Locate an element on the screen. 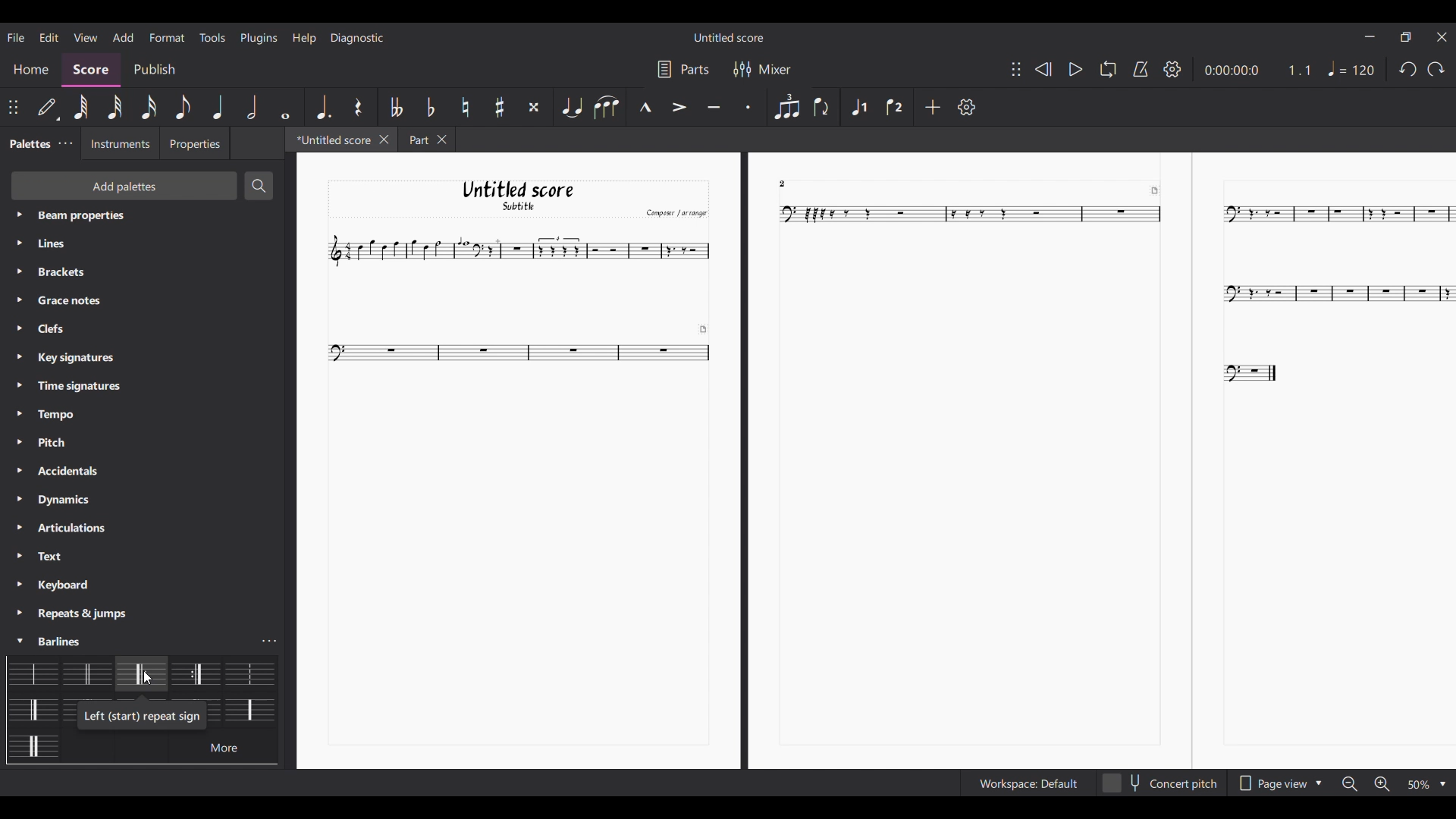 The height and width of the screenshot is (819, 1456). Page view options is located at coordinates (1278, 783).